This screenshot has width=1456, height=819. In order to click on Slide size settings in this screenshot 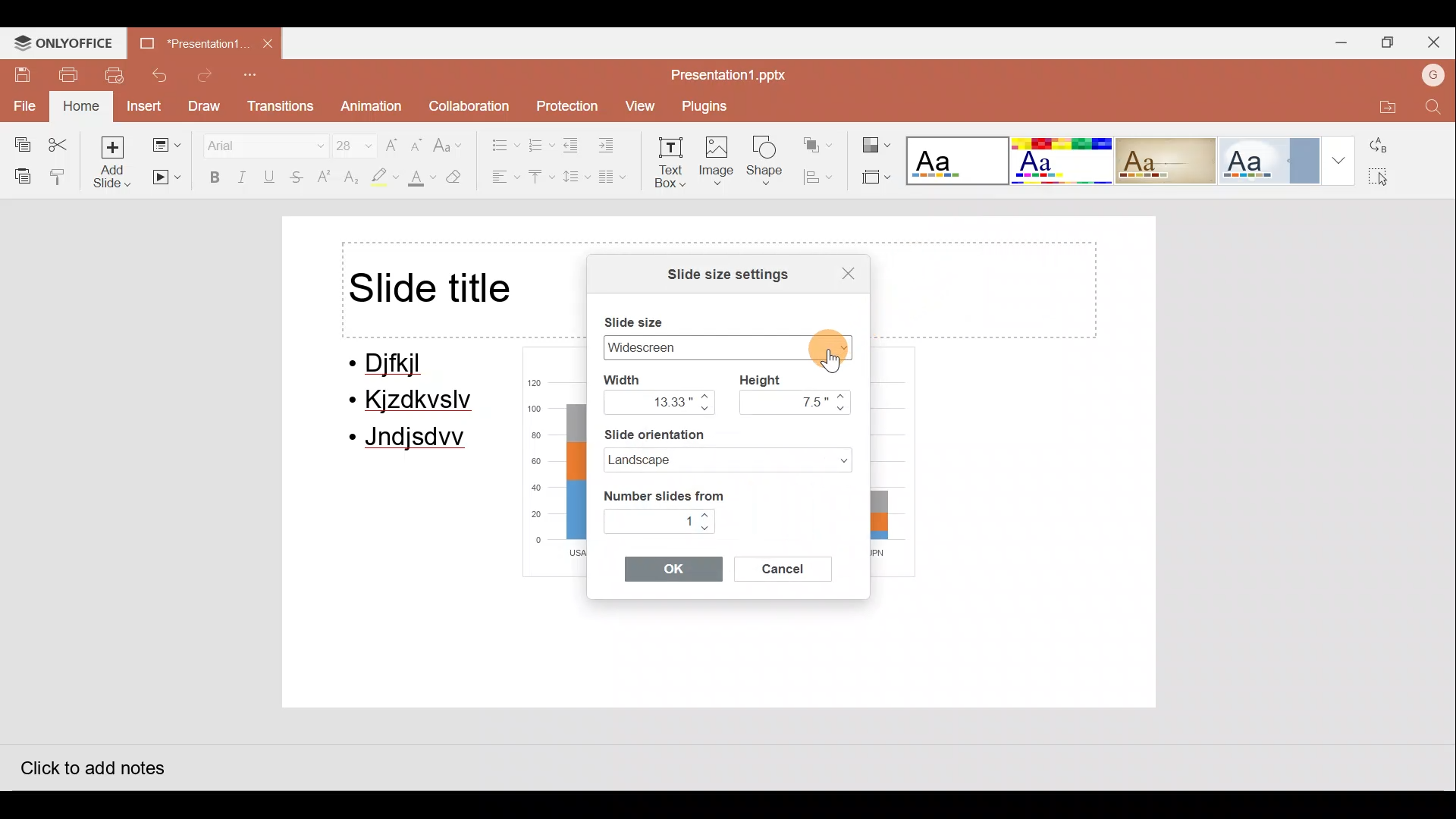, I will do `click(718, 275)`.